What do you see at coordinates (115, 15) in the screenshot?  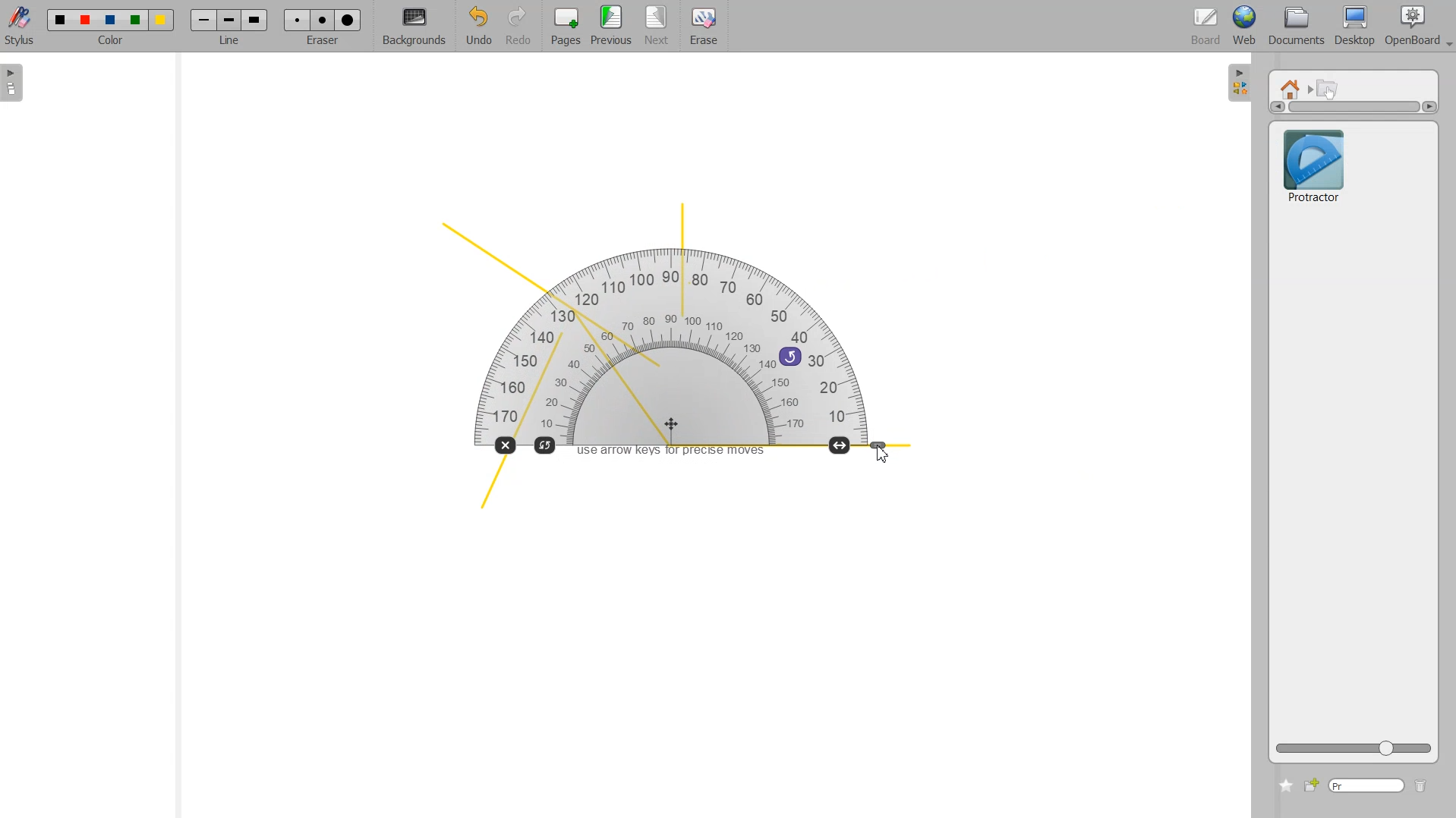 I see `Color` at bounding box center [115, 15].